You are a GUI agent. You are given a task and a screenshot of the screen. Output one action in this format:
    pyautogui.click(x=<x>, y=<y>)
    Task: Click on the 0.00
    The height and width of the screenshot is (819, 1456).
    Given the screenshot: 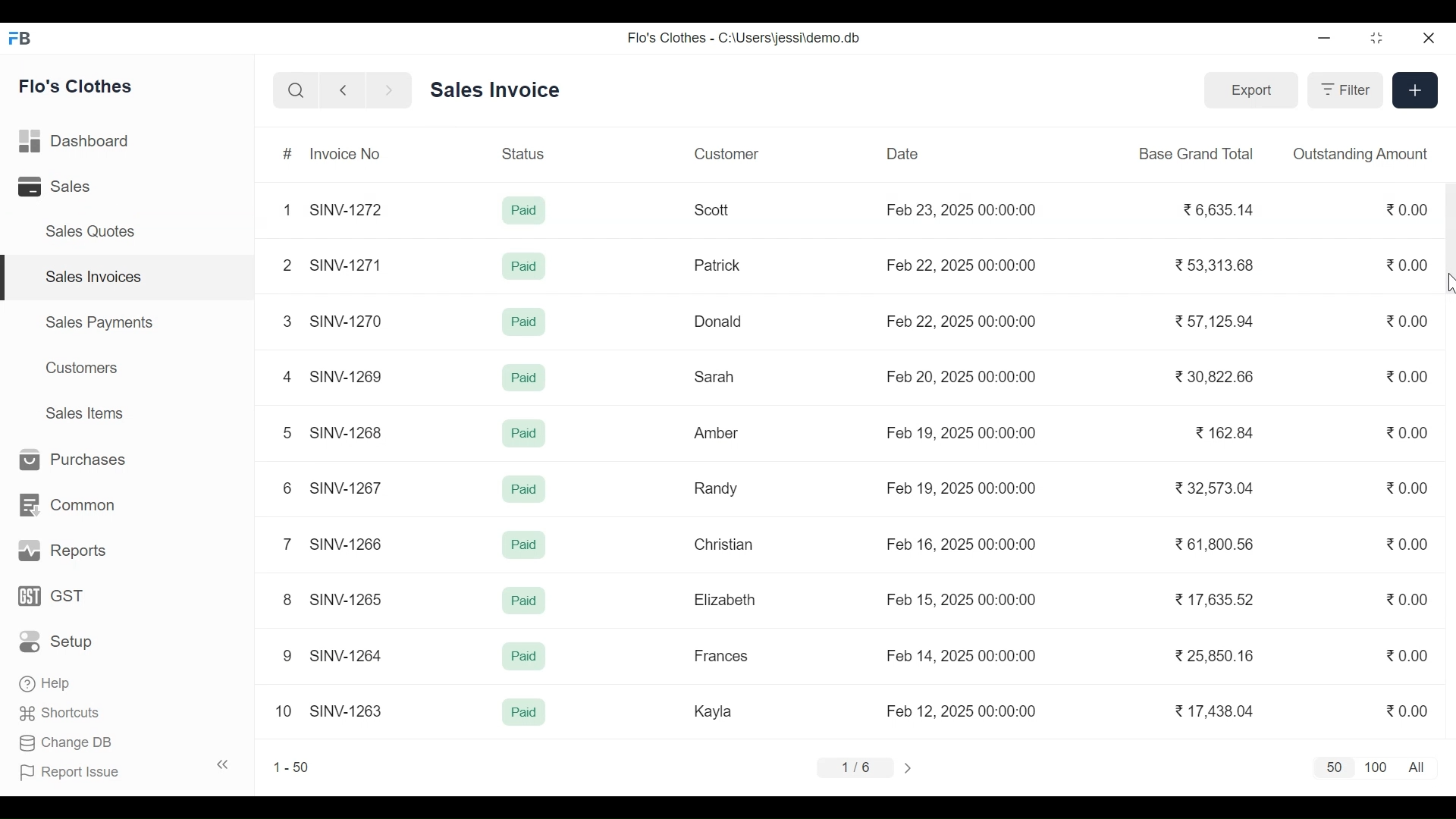 What is the action you would take?
    pyautogui.click(x=1407, y=543)
    